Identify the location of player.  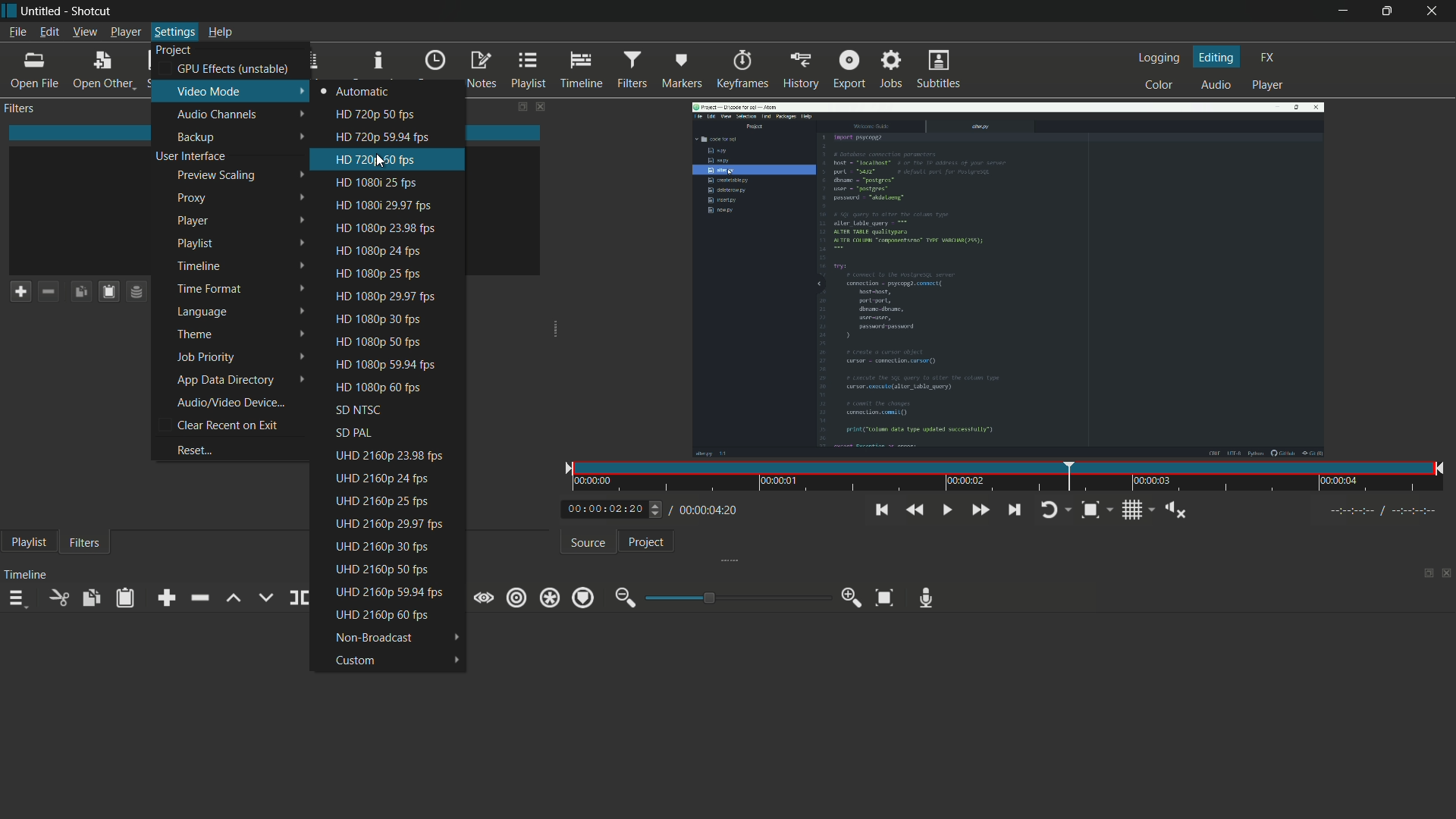
(240, 221).